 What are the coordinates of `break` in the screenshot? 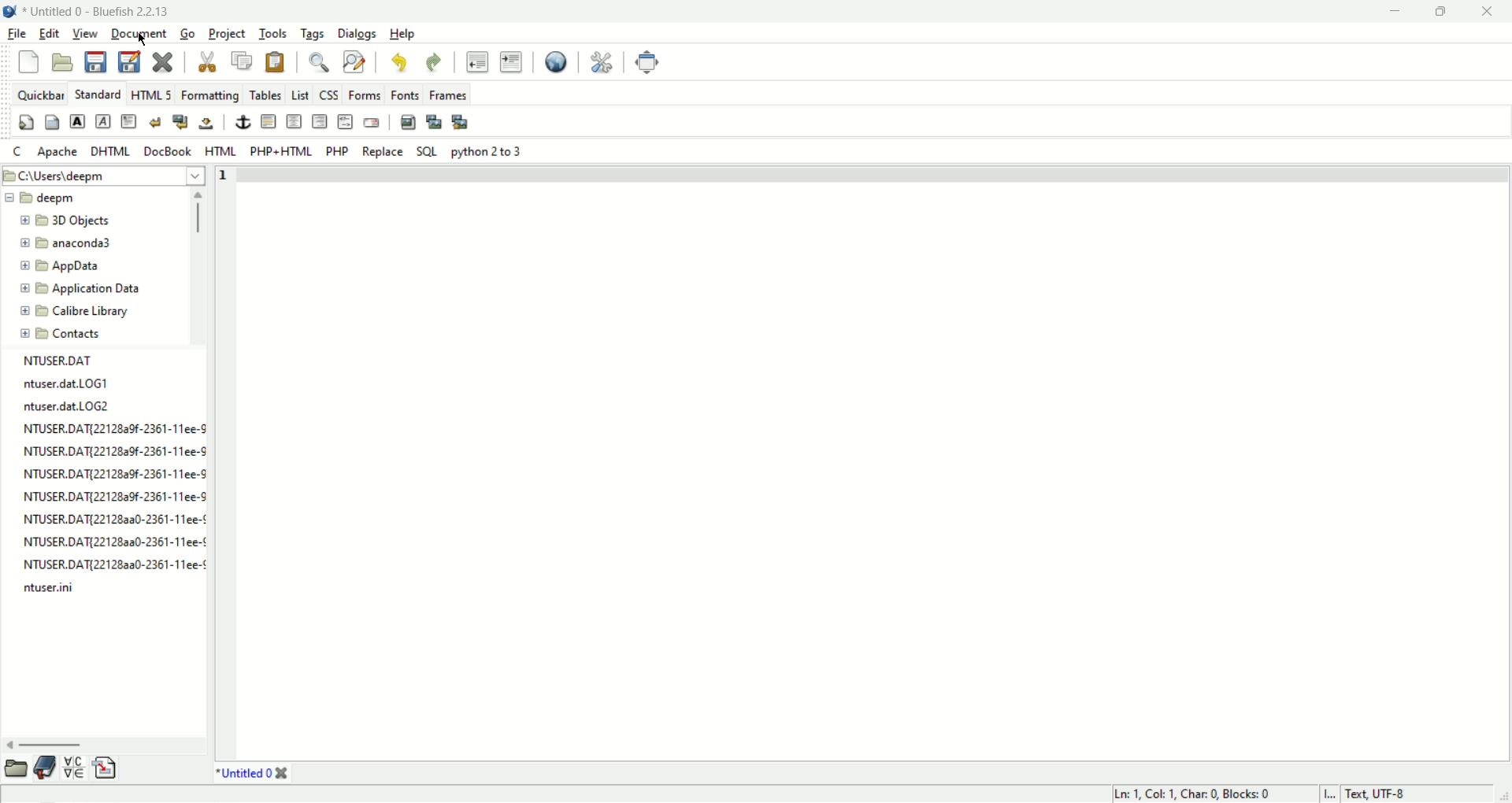 It's located at (155, 122).